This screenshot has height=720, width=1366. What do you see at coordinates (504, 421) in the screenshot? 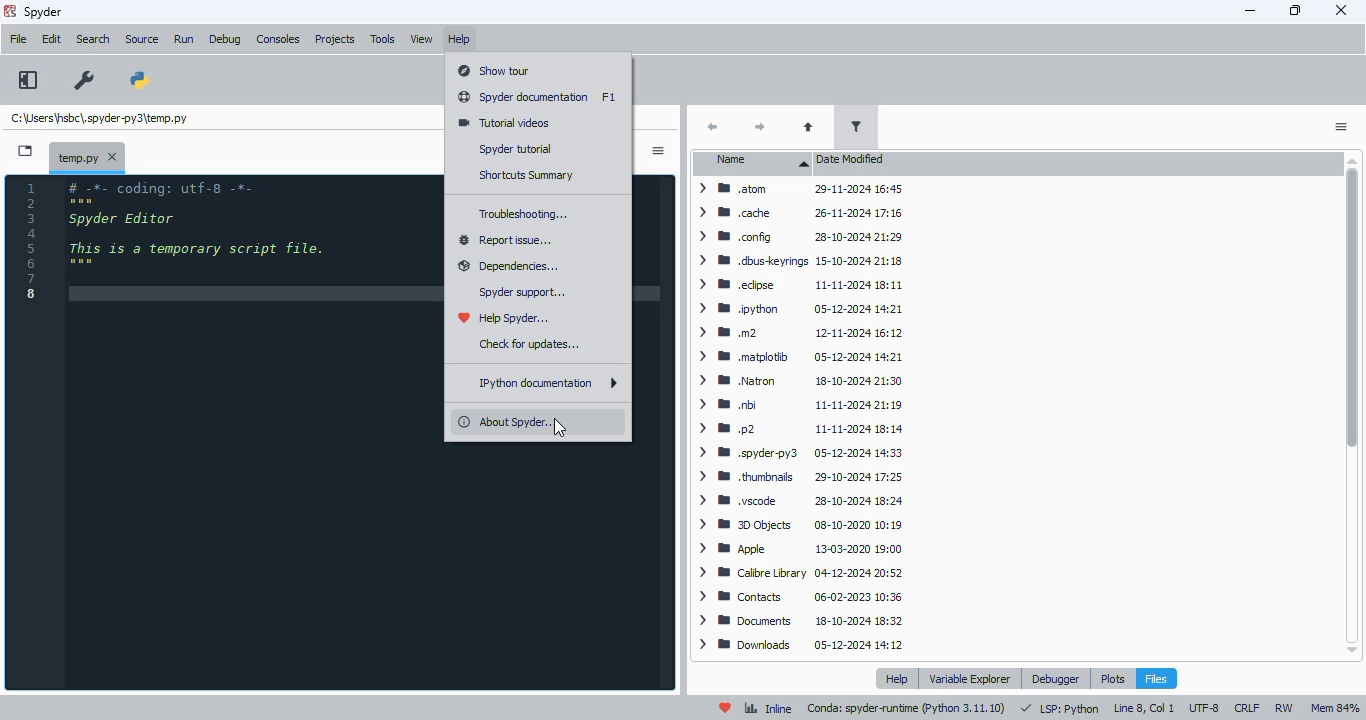
I see `about spyder` at bounding box center [504, 421].